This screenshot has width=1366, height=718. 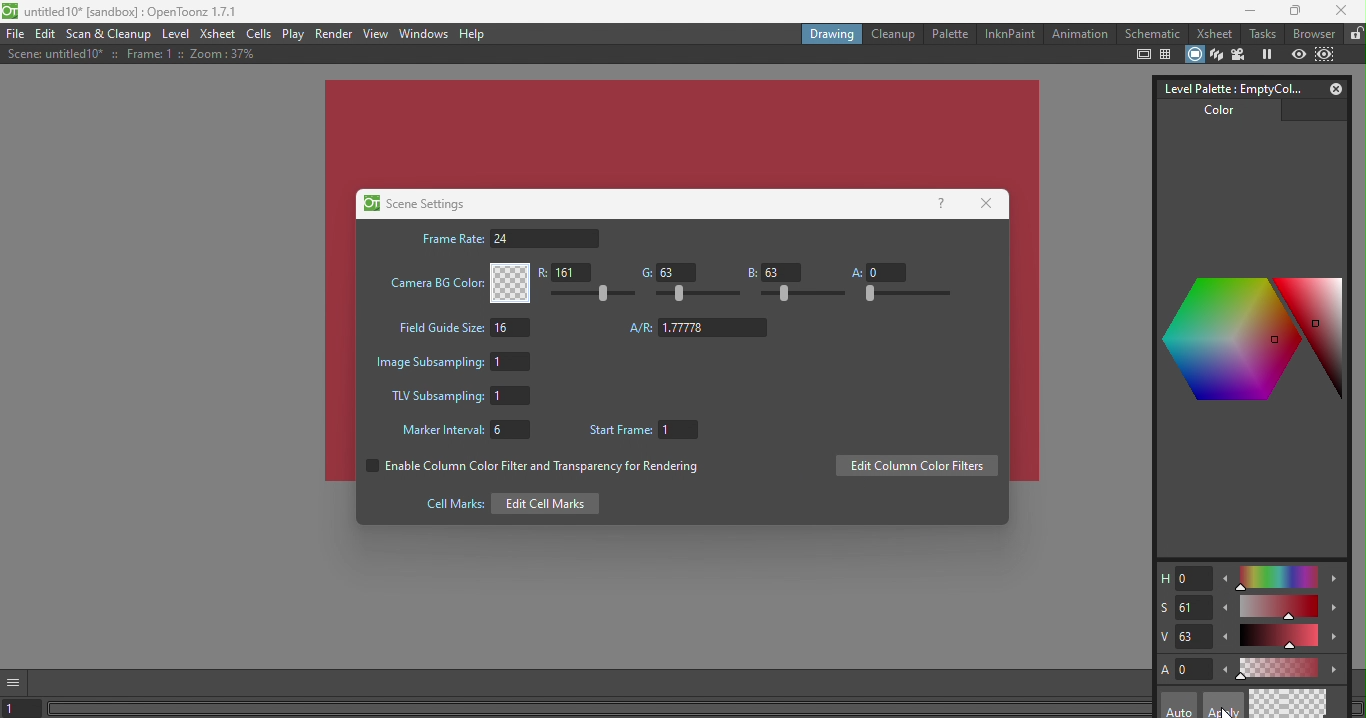 What do you see at coordinates (1228, 87) in the screenshot?
I see `Level palette` at bounding box center [1228, 87].